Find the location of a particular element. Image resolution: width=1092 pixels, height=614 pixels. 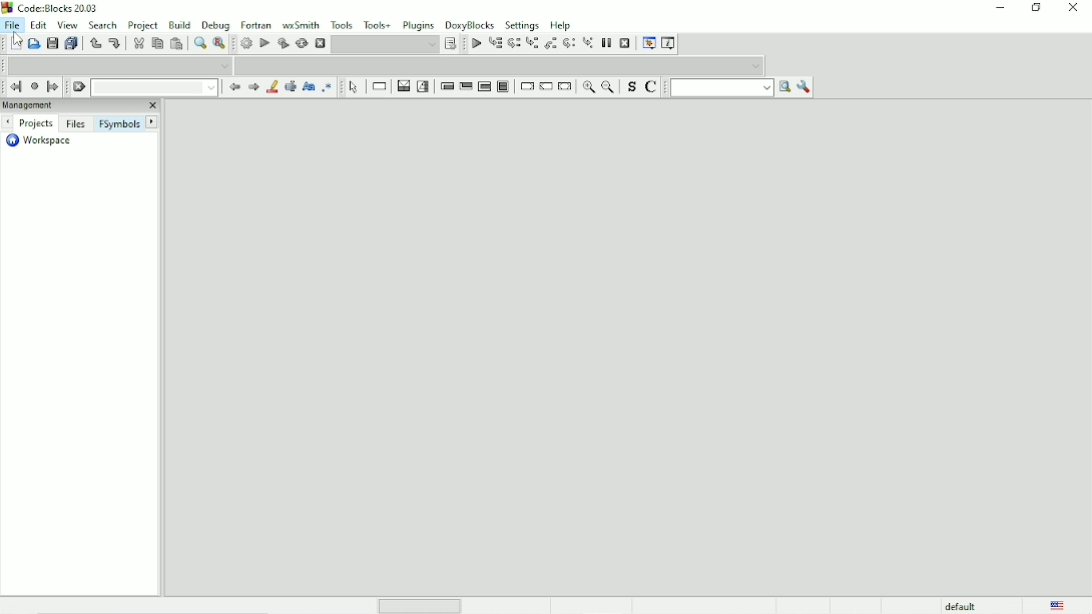

Fortran is located at coordinates (256, 24).